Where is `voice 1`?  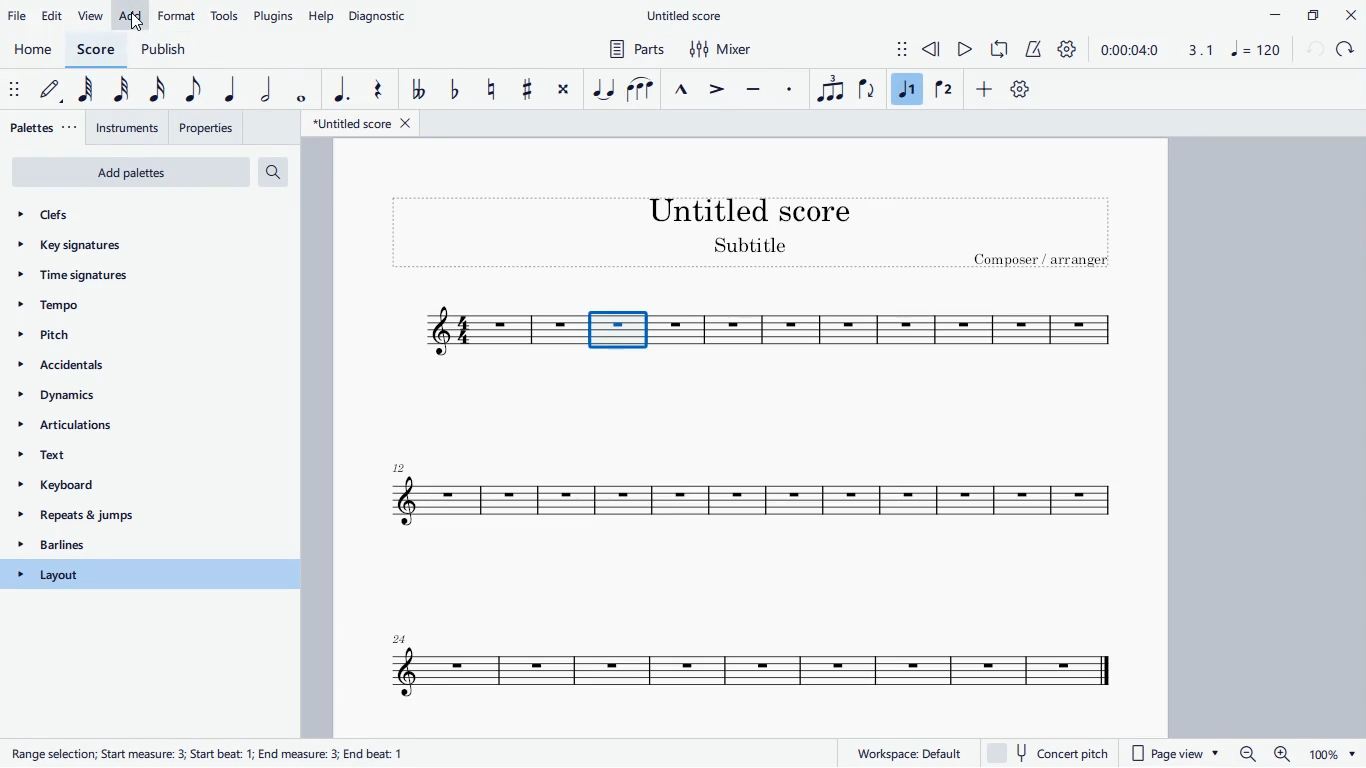
voice 1 is located at coordinates (907, 89).